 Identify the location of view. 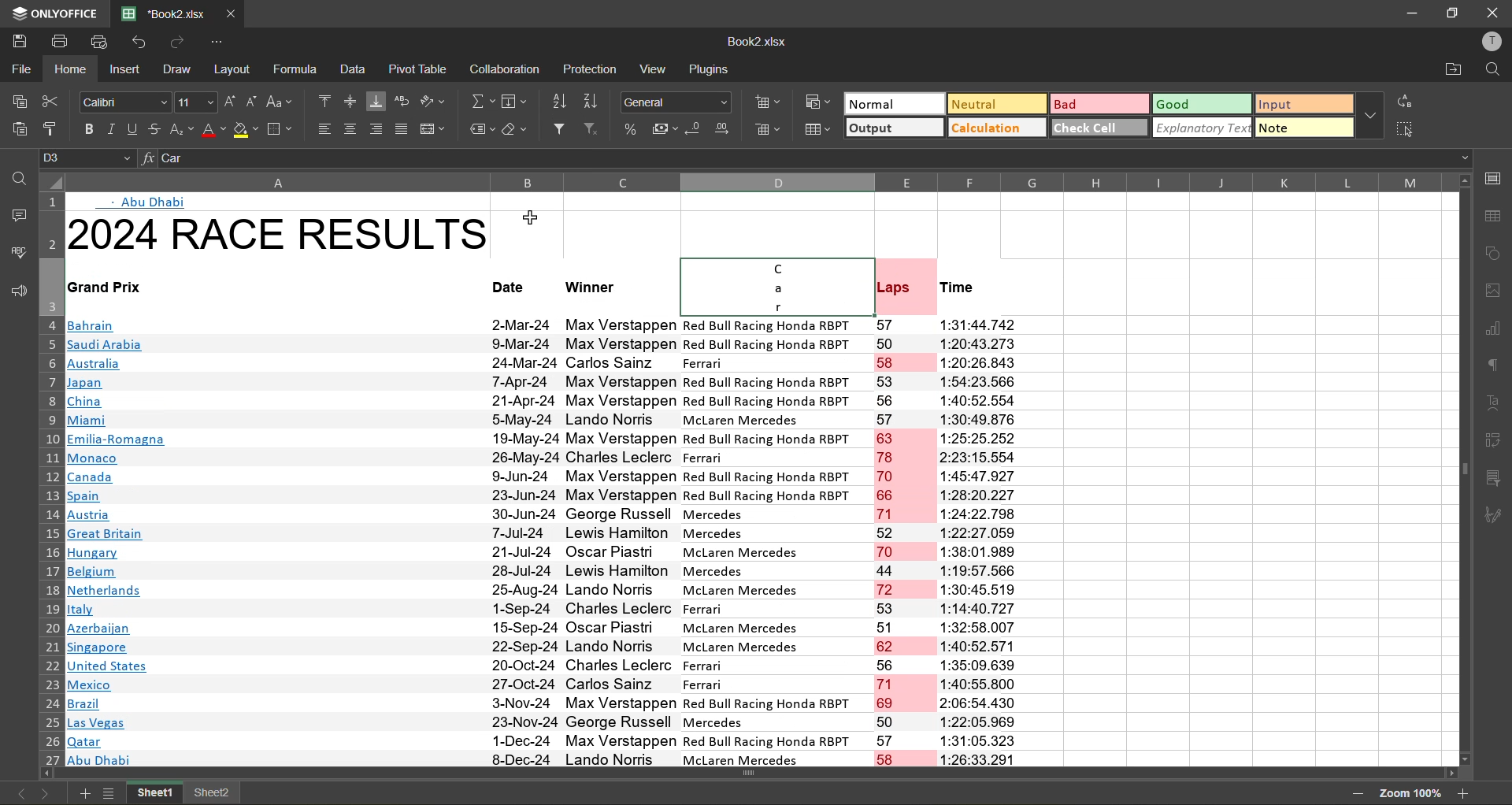
(658, 71).